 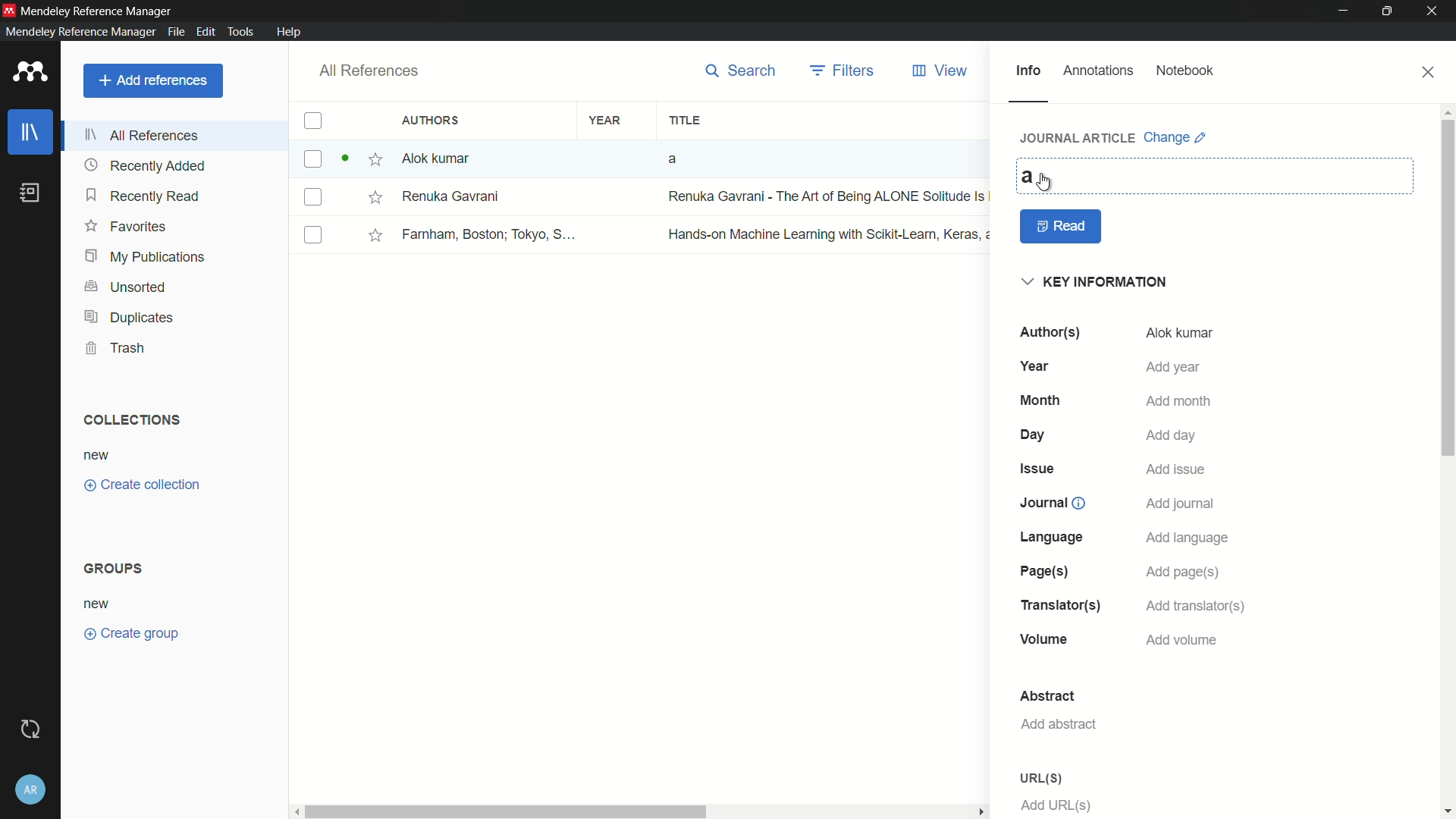 What do you see at coordinates (941, 71) in the screenshot?
I see `view` at bounding box center [941, 71].